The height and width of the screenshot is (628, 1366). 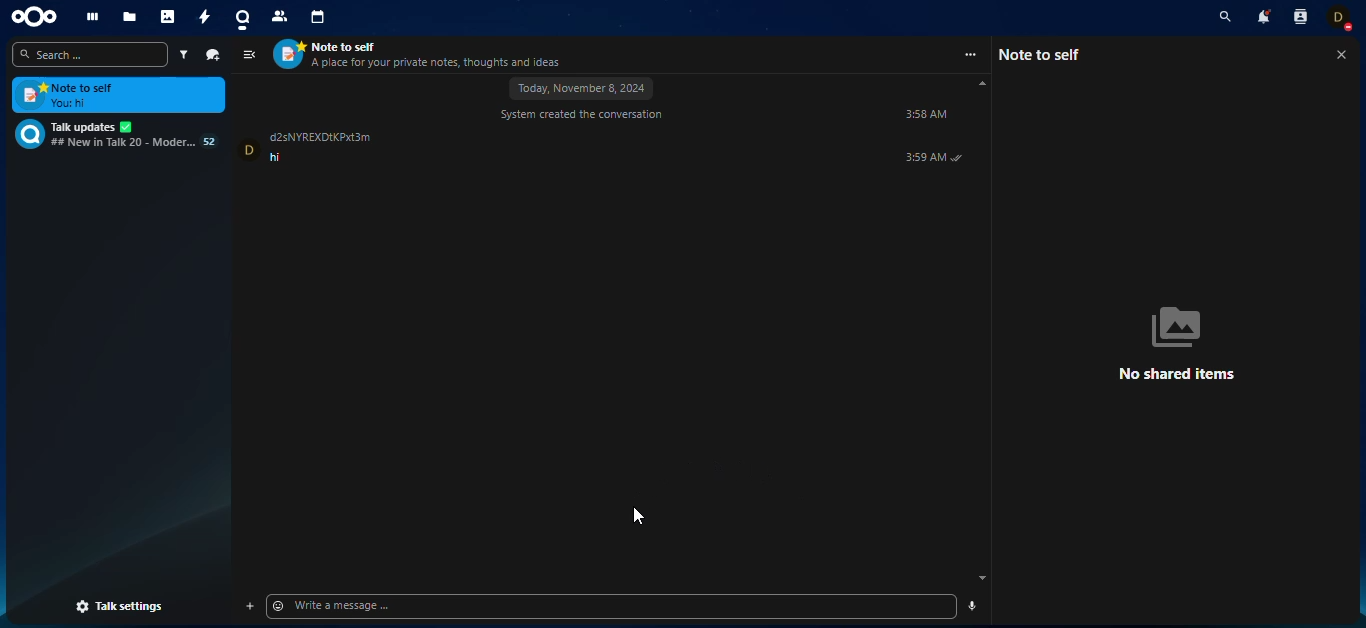 What do you see at coordinates (115, 134) in the screenshot?
I see `chat` at bounding box center [115, 134].